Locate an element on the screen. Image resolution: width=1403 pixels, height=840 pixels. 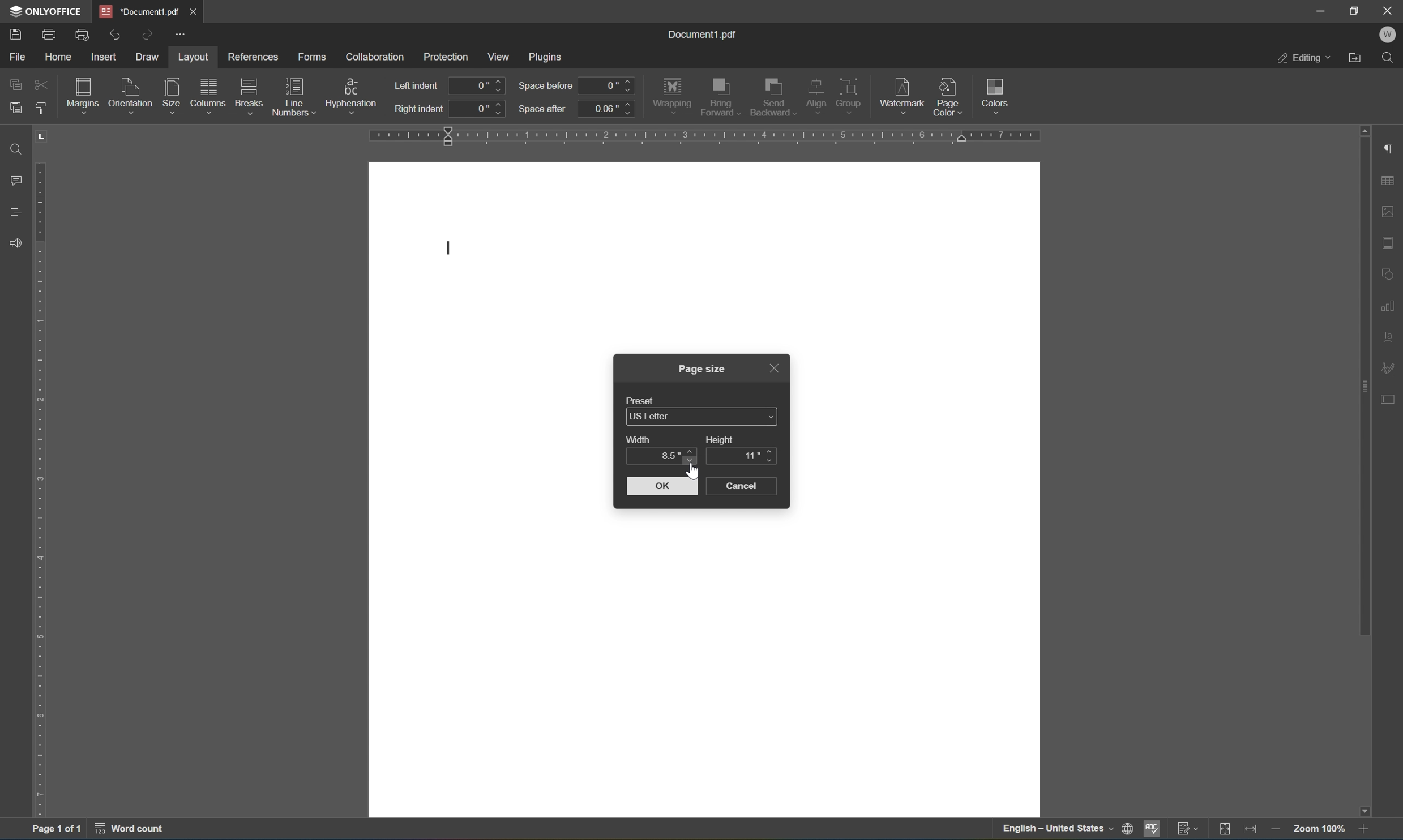
customize quick access toolbar is located at coordinates (182, 36).